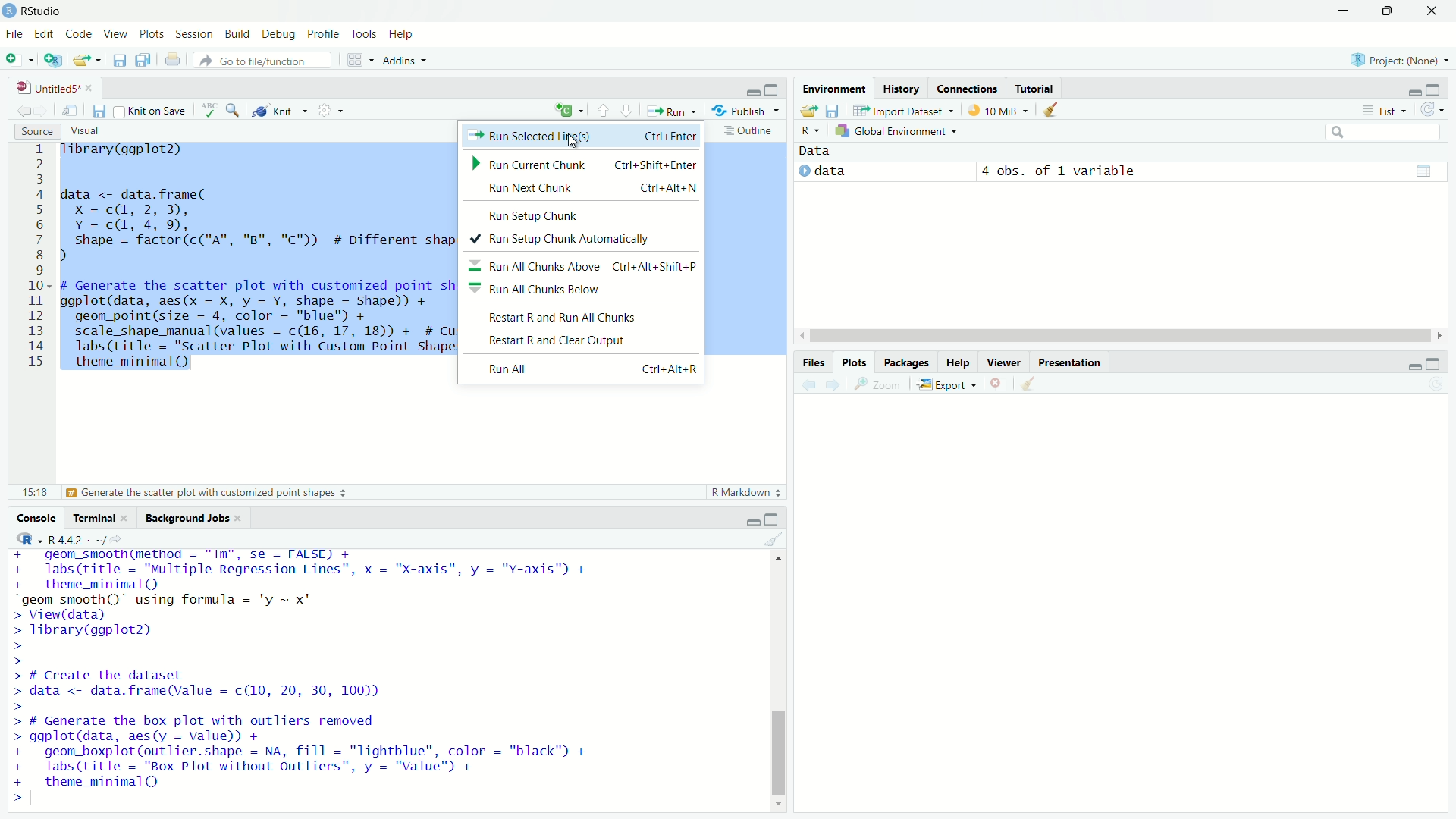 Image resolution: width=1456 pixels, height=819 pixels. Describe the element at coordinates (84, 131) in the screenshot. I see `Visual` at that location.